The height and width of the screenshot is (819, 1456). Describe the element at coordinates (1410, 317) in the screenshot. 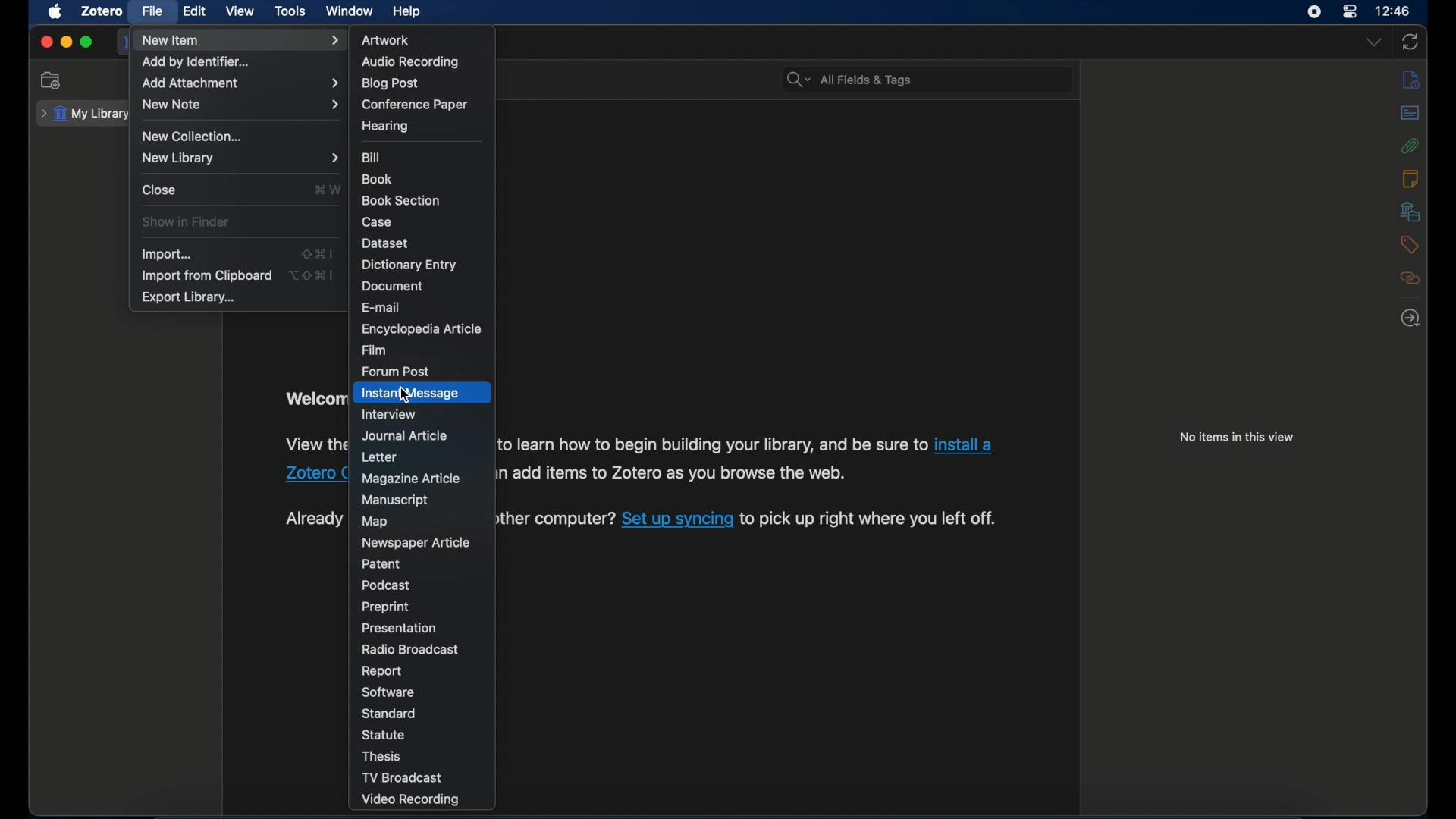

I see `locate` at that location.